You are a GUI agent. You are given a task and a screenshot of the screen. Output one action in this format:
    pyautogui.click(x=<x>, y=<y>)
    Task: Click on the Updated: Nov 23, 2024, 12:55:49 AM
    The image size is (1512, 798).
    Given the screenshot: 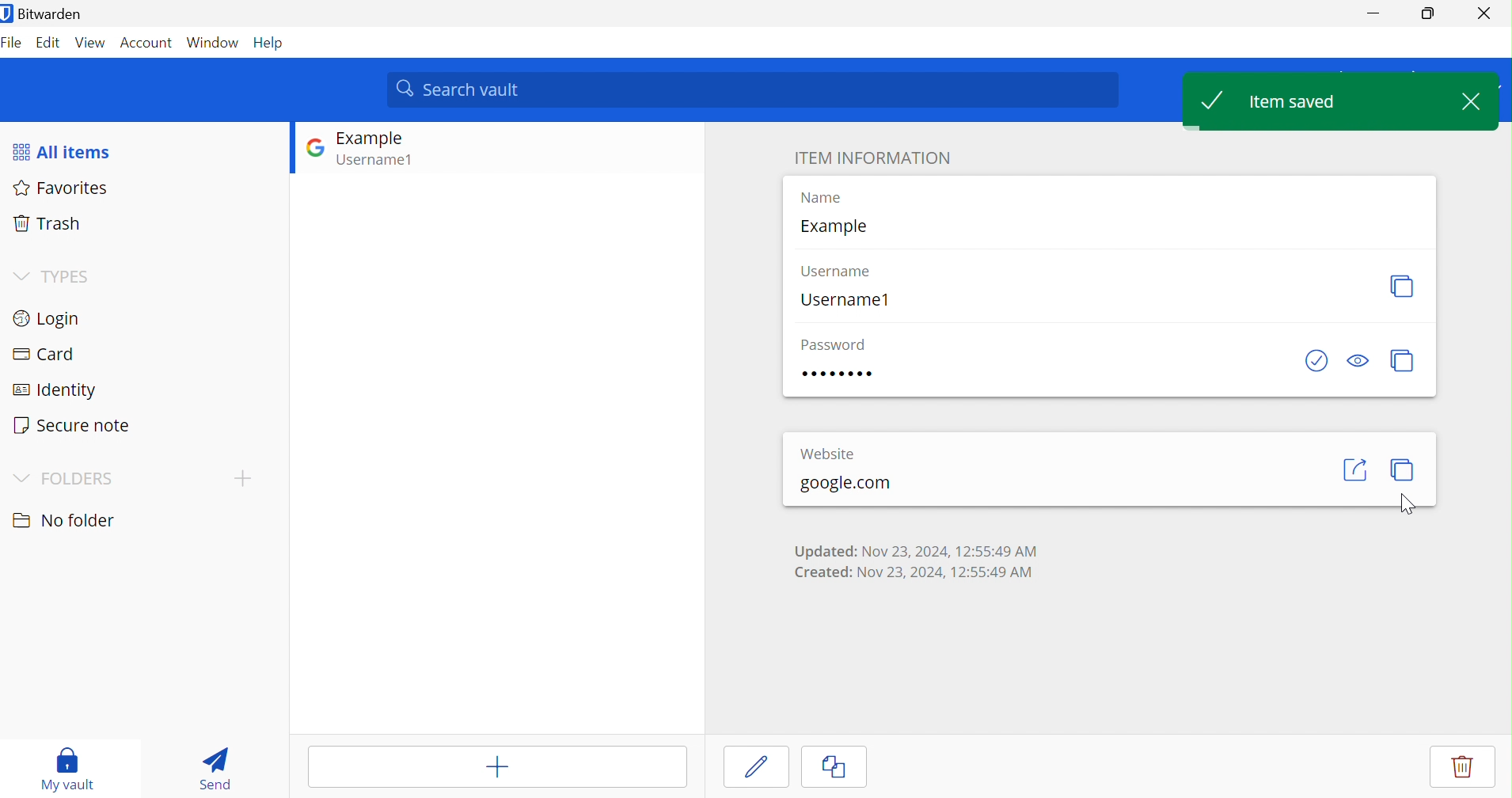 What is the action you would take?
    pyautogui.click(x=914, y=549)
    